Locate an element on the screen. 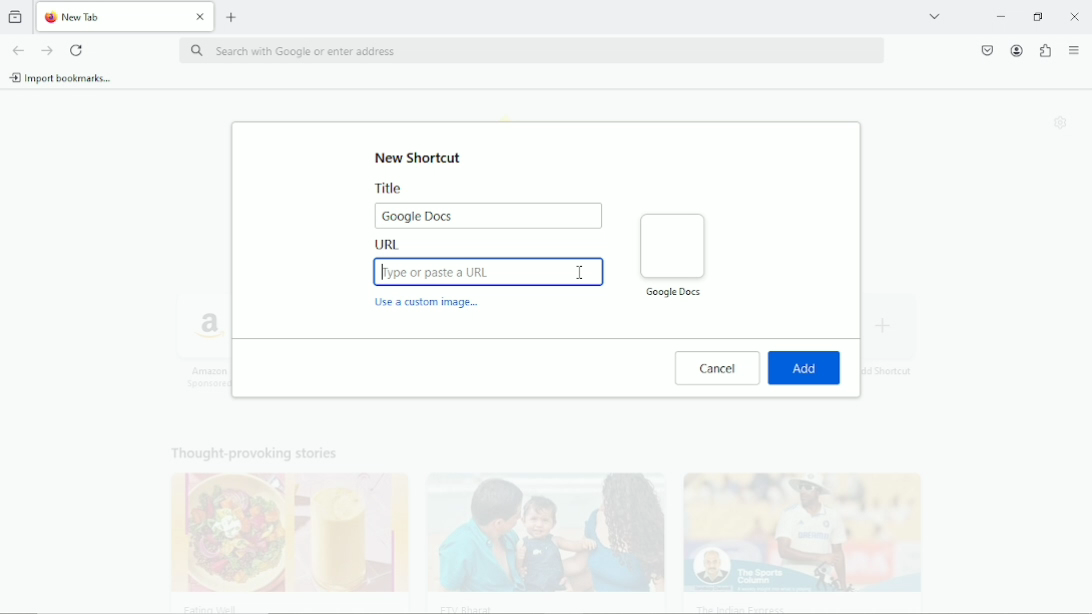  Cursor is located at coordinates (581, 273).